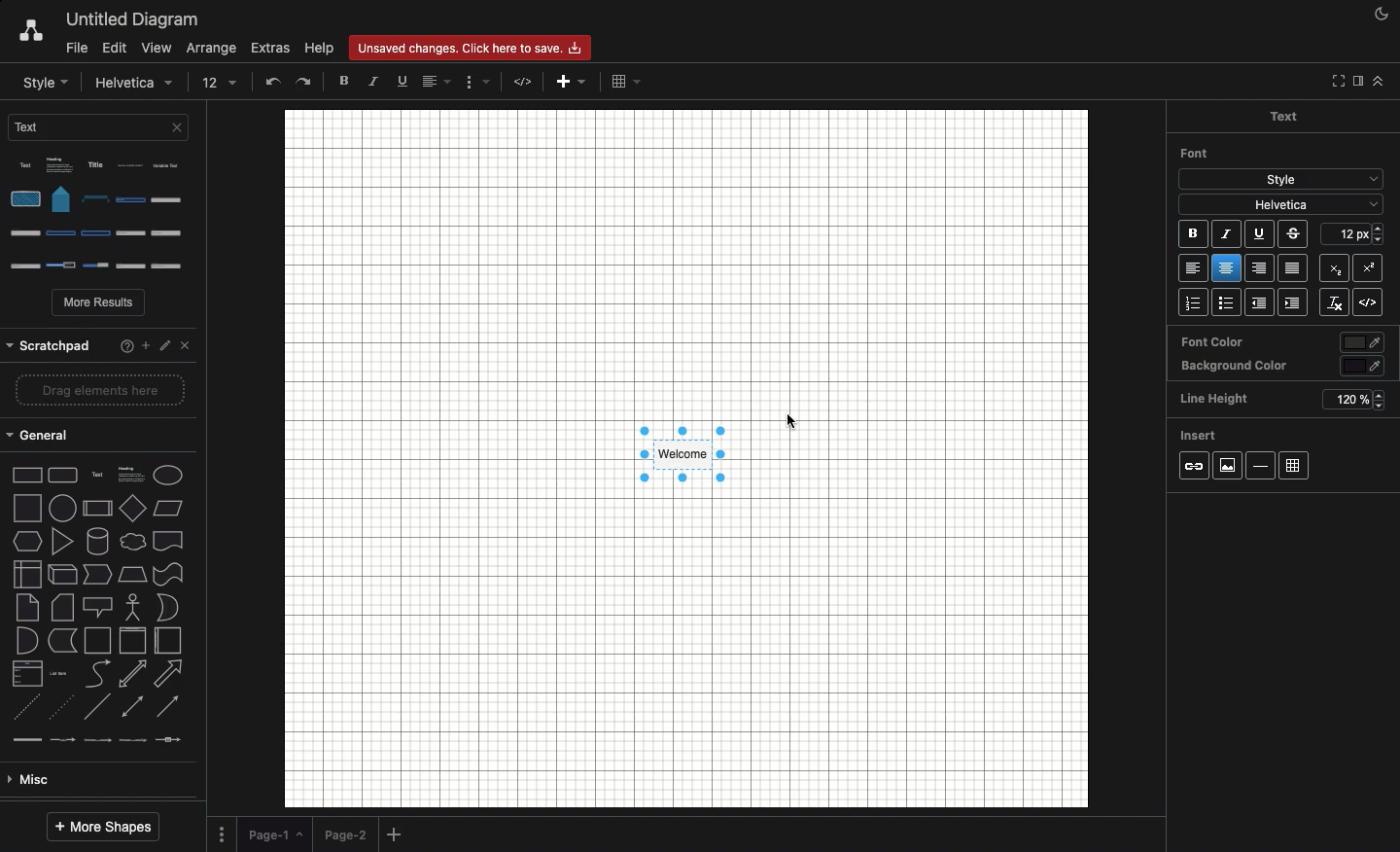 The height and width of the screenshot is (852, 1400). I want to click on Collapse, so click(1379, 81).